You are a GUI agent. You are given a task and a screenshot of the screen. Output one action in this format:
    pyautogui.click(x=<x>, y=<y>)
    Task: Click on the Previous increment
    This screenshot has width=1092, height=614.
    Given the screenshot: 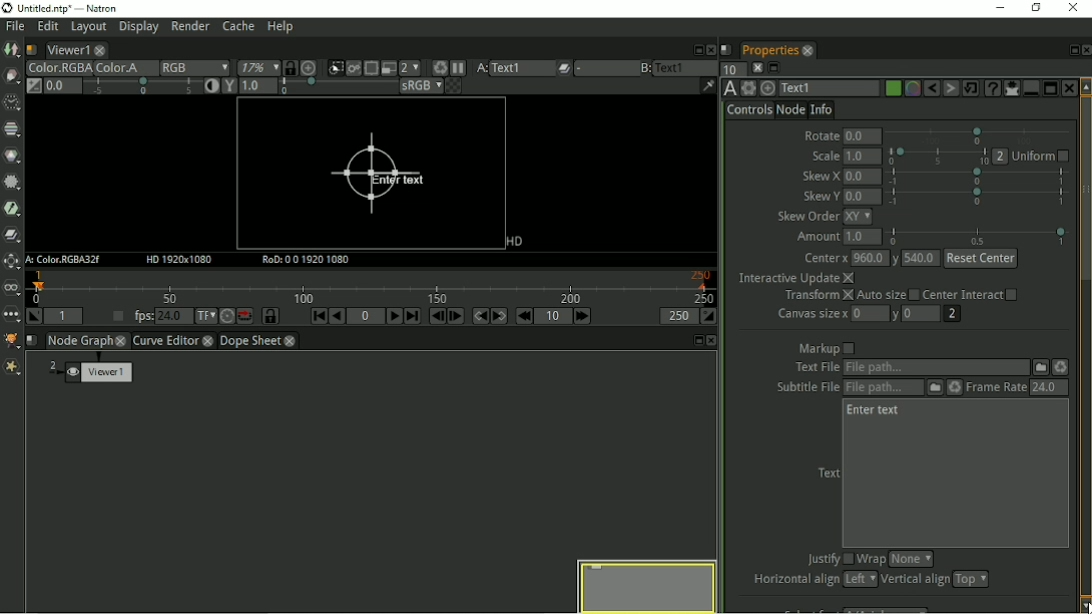 What is the action you would take?
    pyautogui.click(x=524, y=316)
    